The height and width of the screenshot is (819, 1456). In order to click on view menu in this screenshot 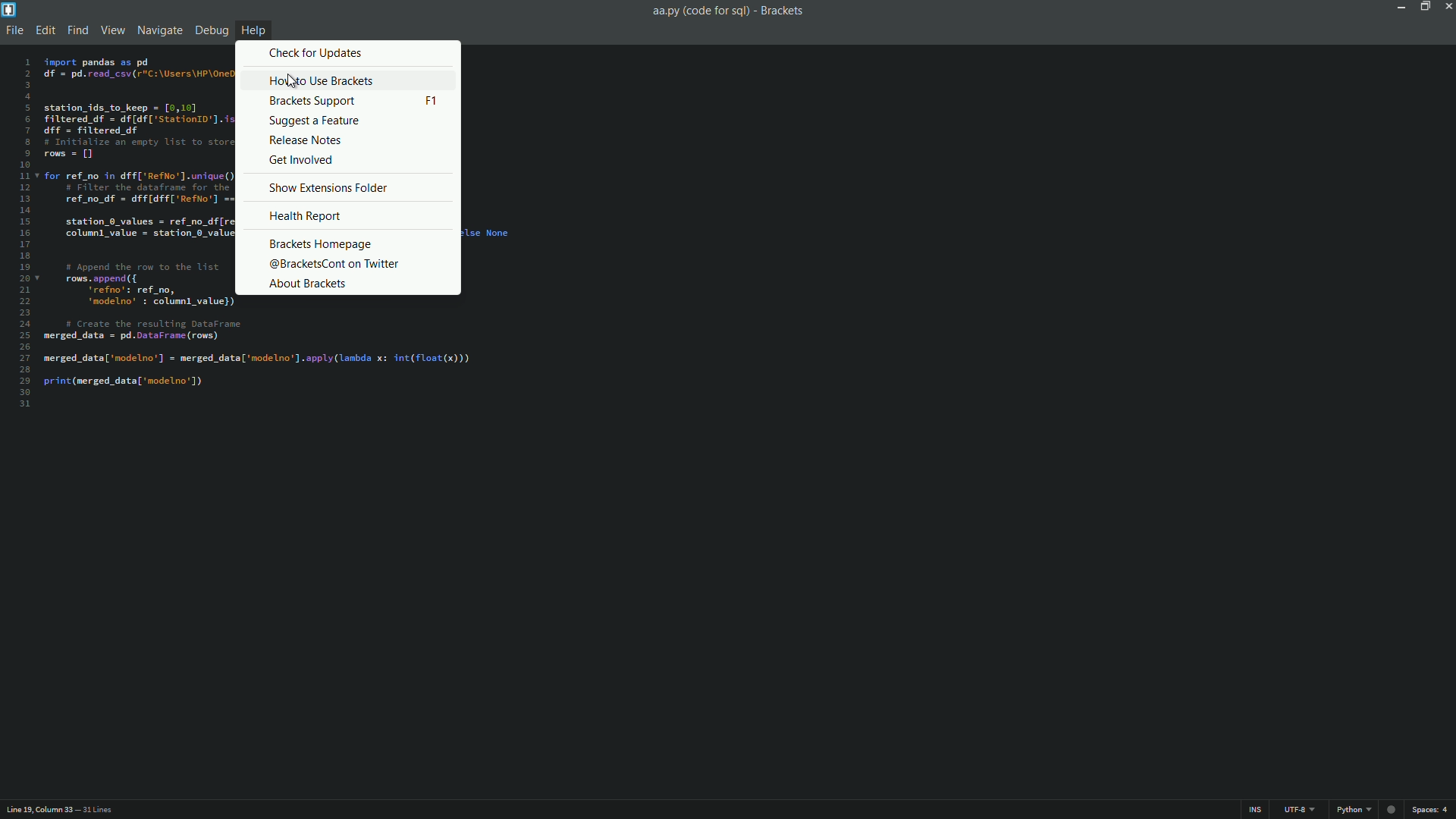, I will do `click(110, 32)`.